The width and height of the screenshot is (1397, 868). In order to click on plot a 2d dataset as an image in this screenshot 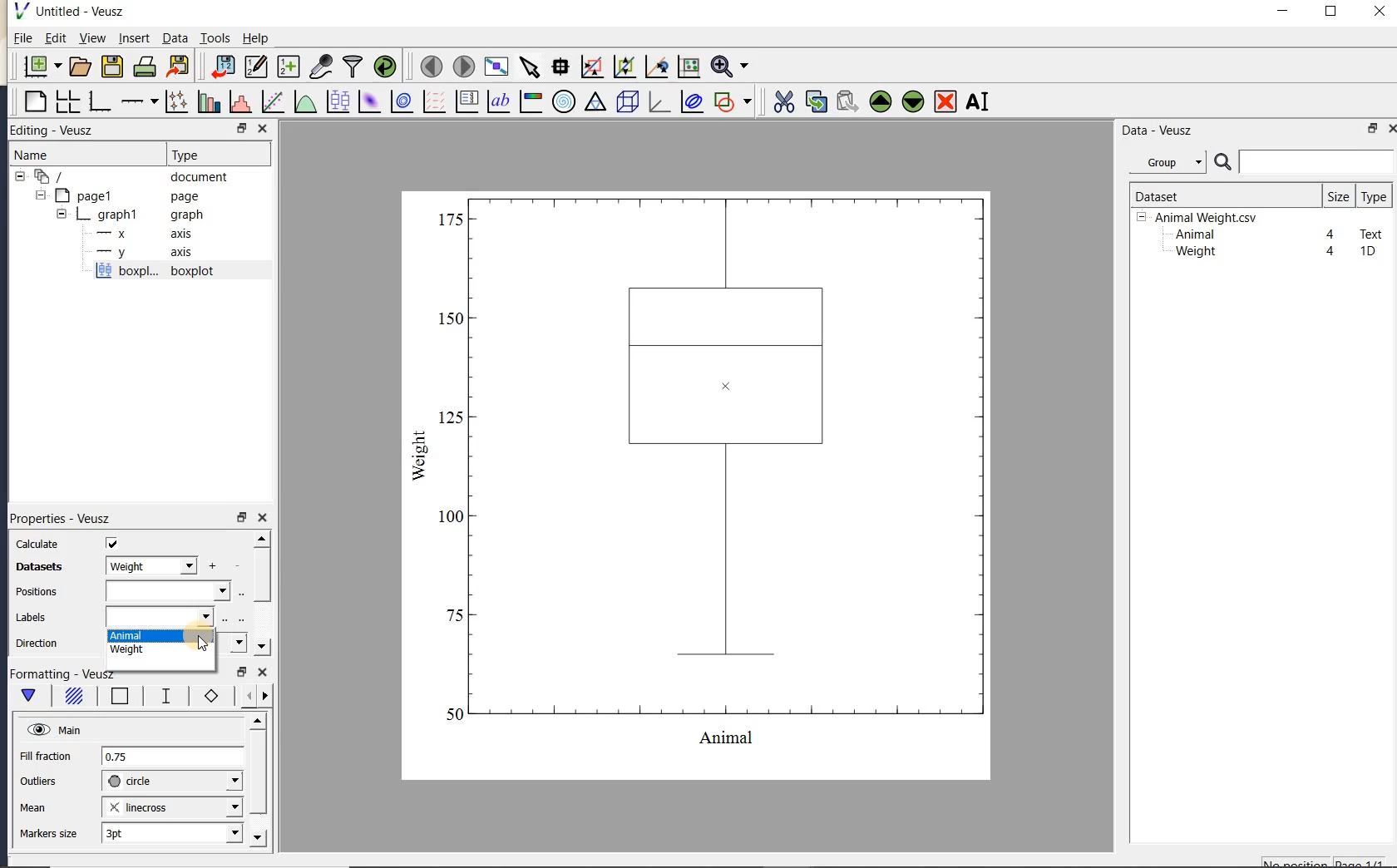, I will do `click(368, 101)`.